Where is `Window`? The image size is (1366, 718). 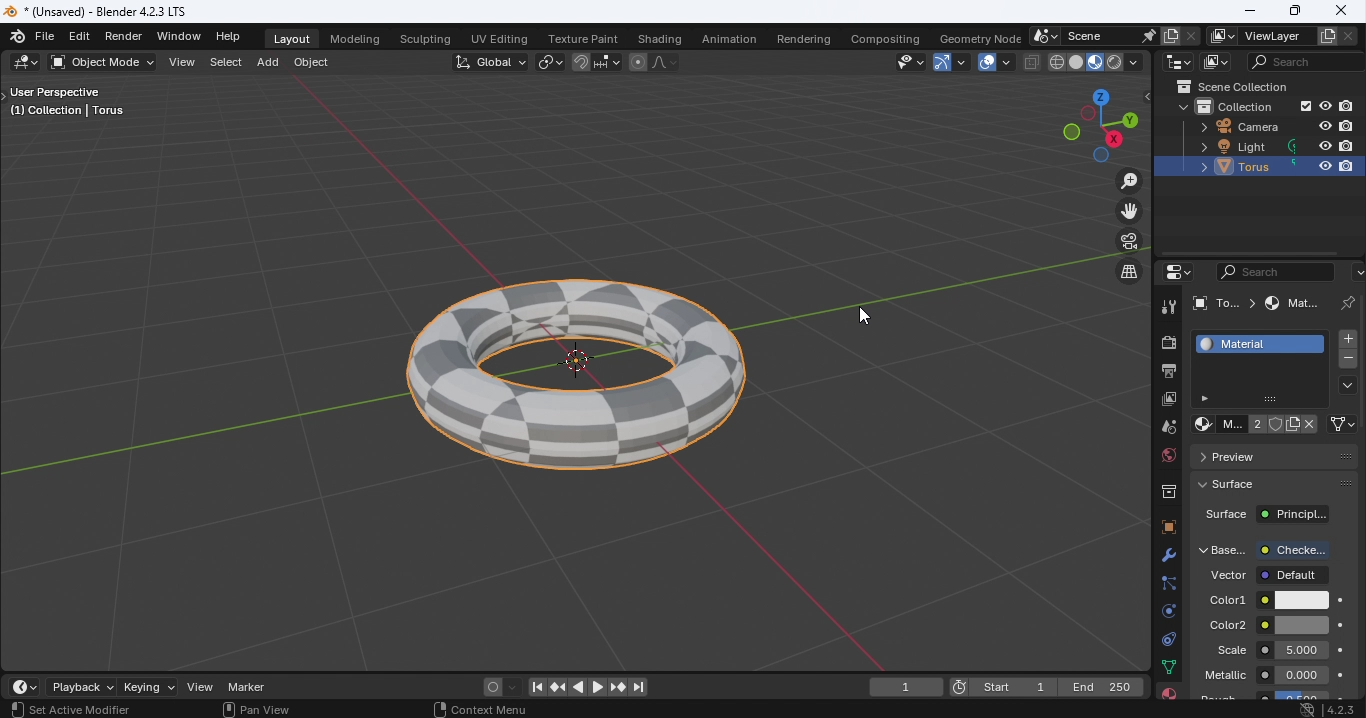 Window is located at coordinates (181, 38).